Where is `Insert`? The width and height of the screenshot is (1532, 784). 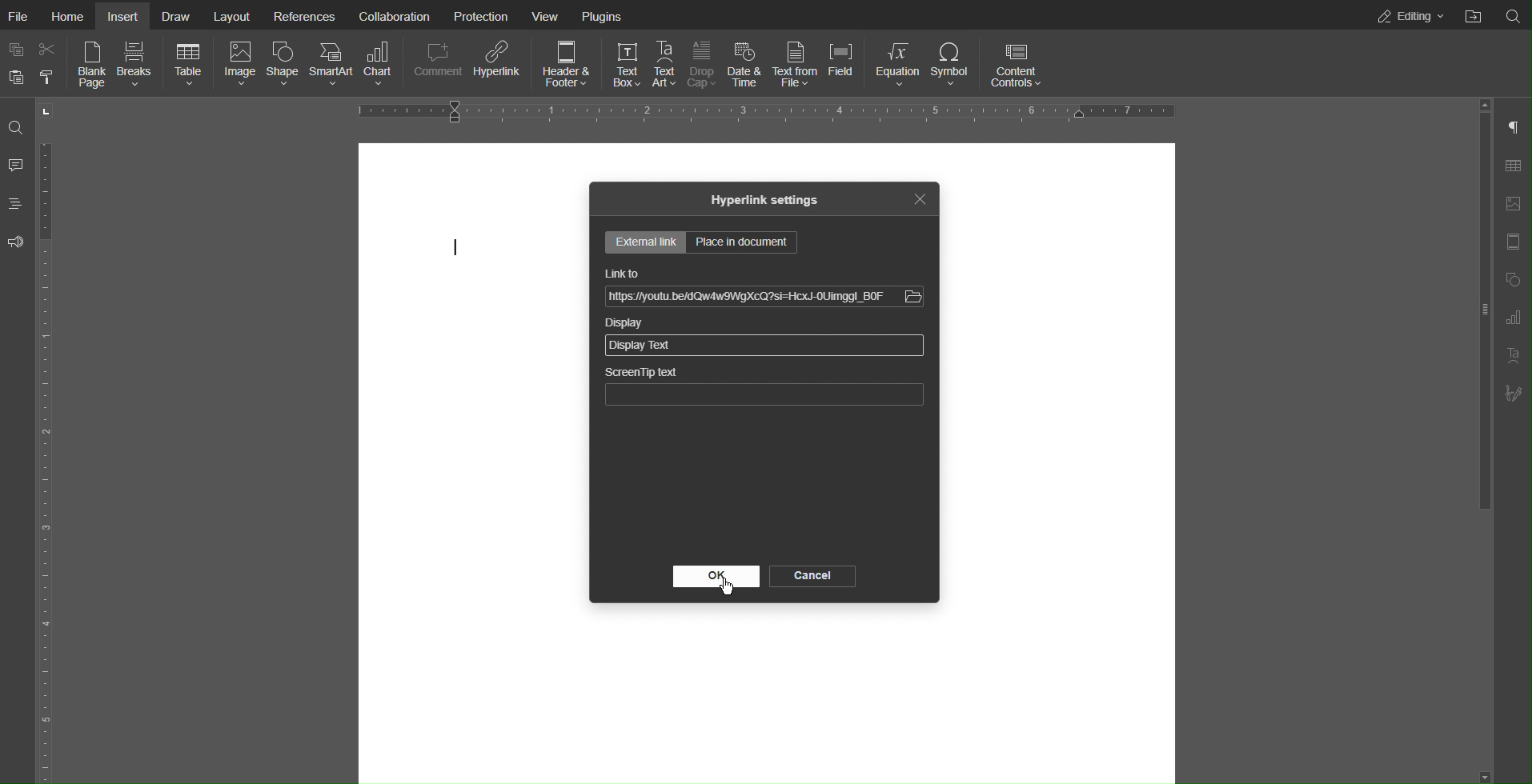 Insert is located at coordinates (126, 16).